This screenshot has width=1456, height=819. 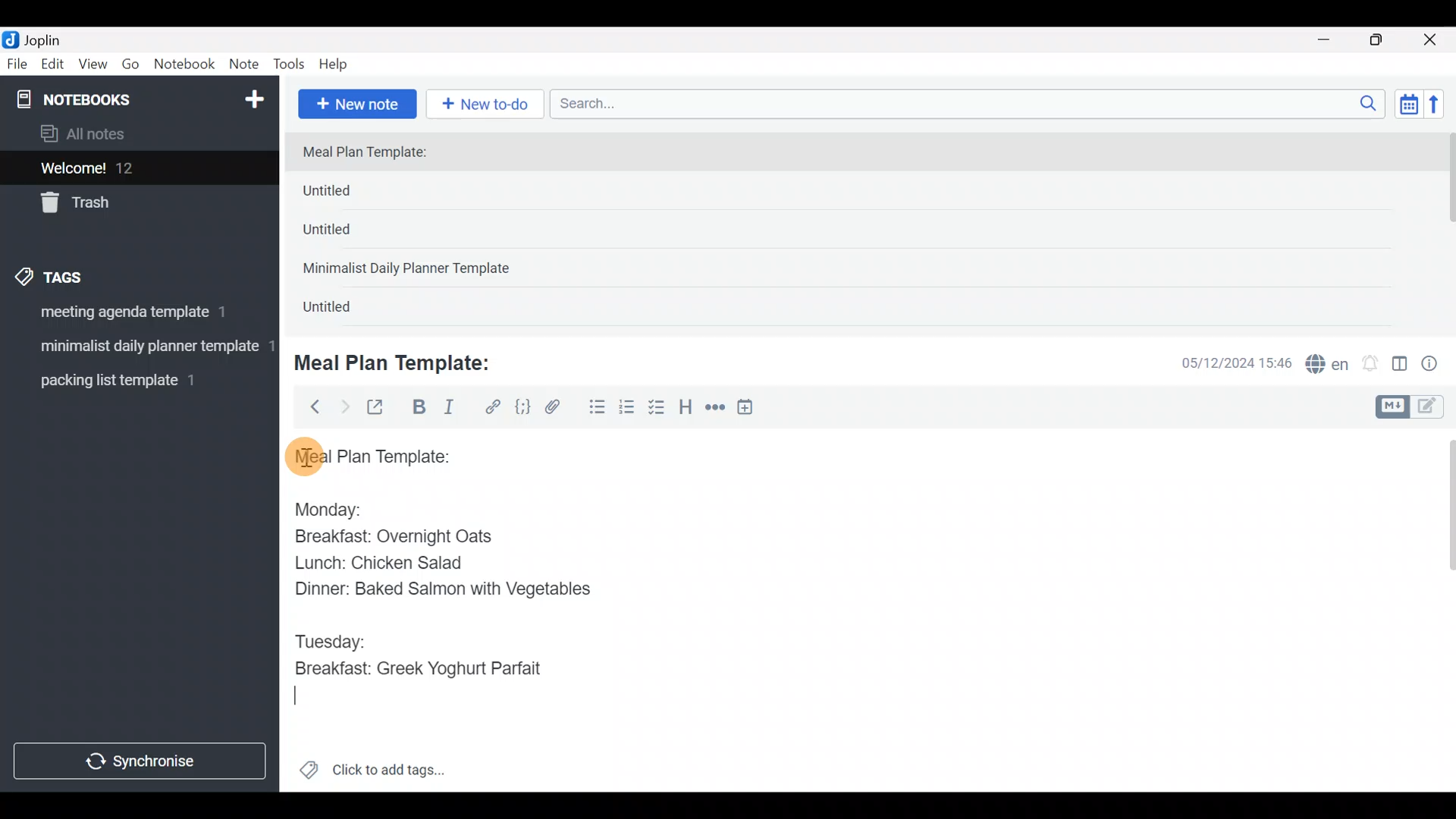 What do you see at coordinates (493, 407) in the screenshot?
I see `Hyperlink` at bounding box center [493, 407].